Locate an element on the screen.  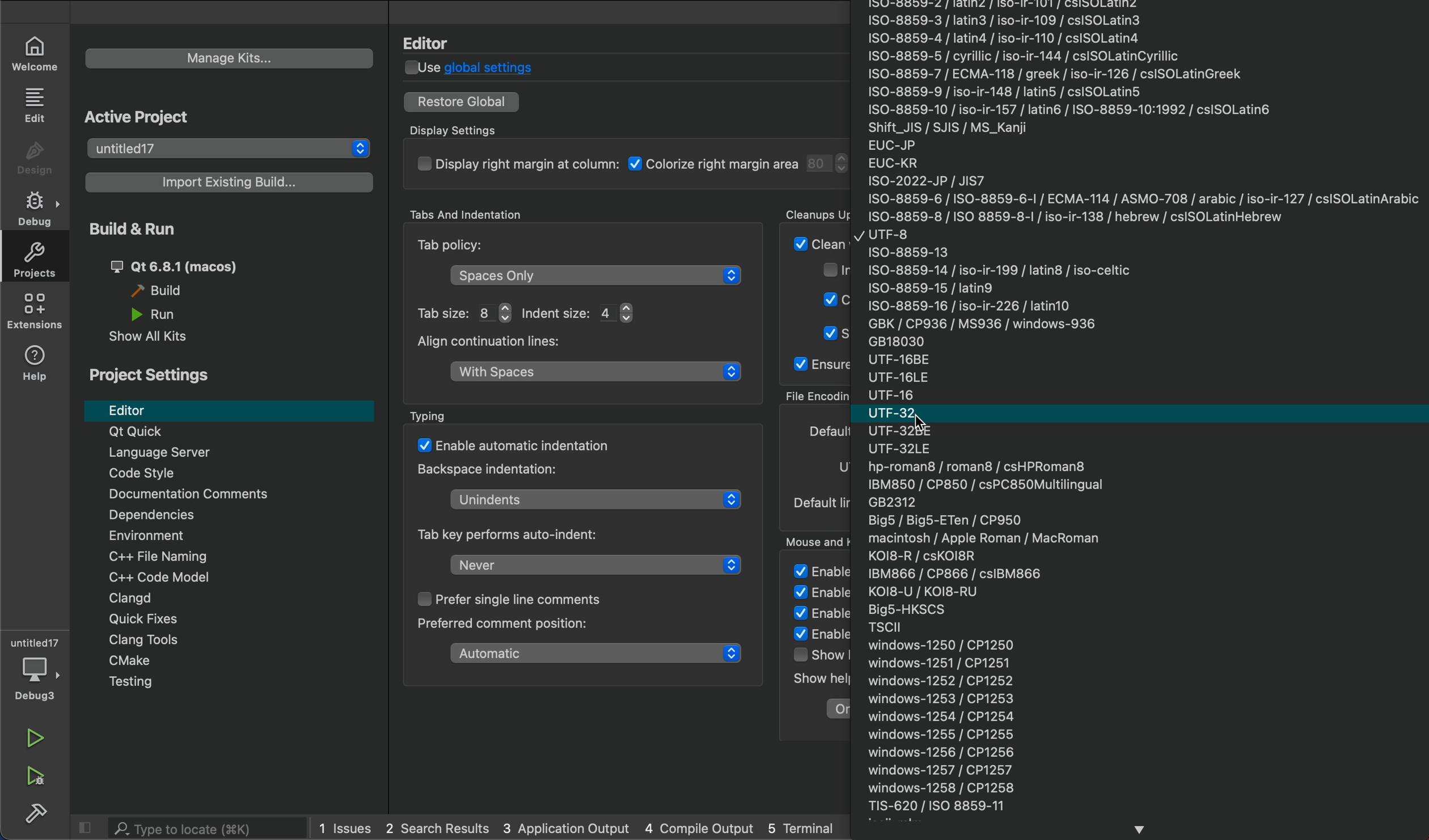
auto matic indentation  is located at coordinates (515, 444).